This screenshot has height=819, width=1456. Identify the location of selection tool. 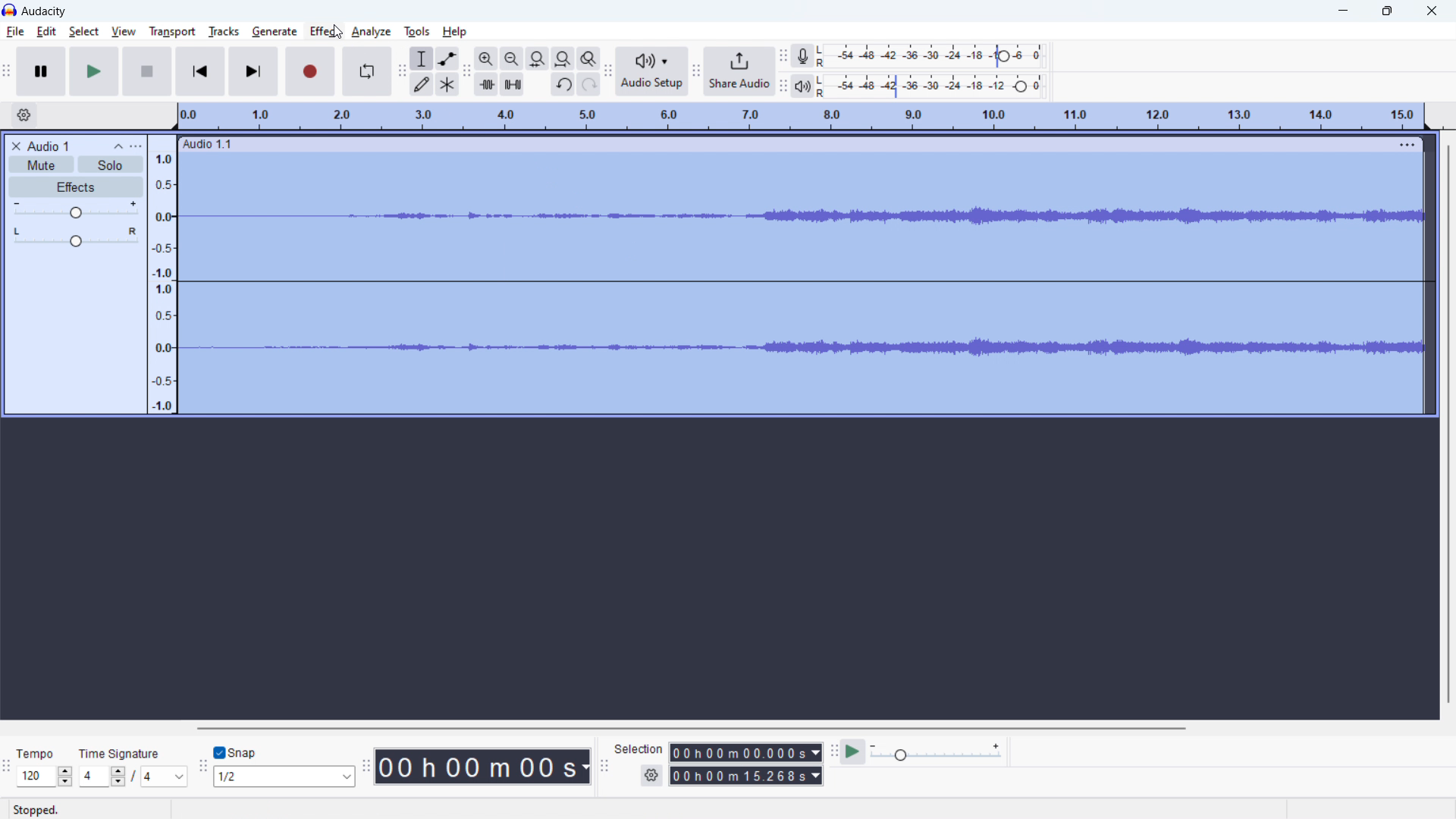
(421, 58).